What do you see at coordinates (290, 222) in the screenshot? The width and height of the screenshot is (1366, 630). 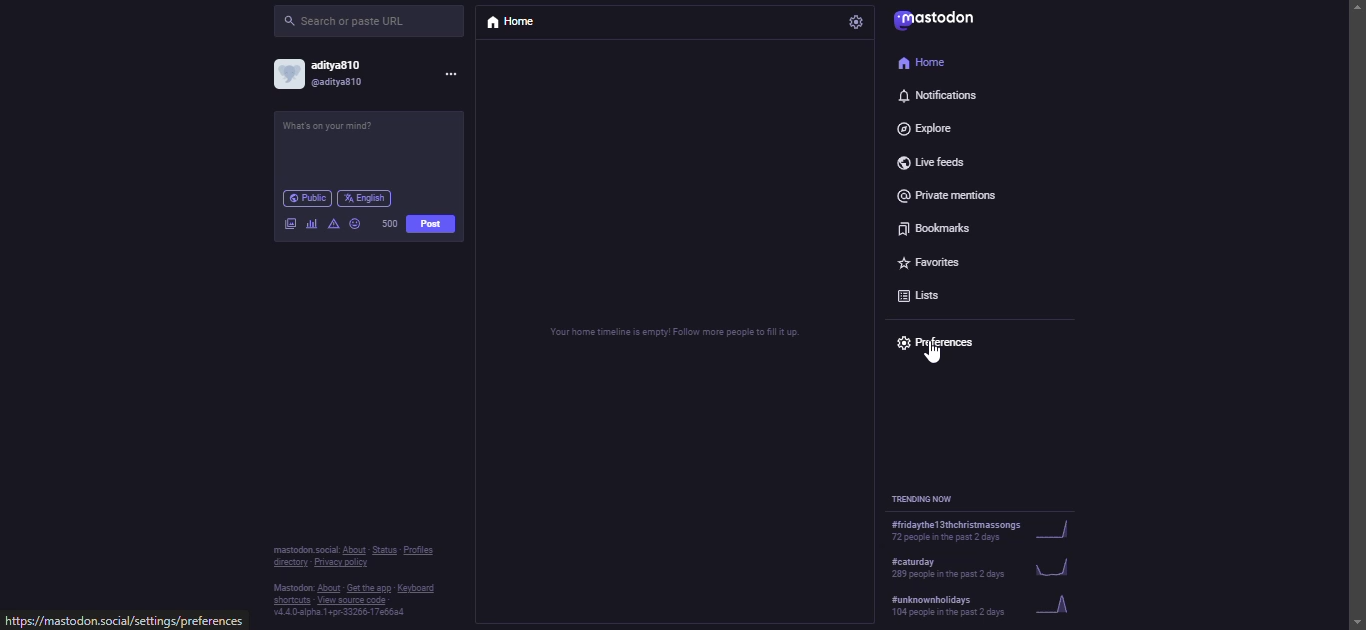 I see `image` at bounding box center [290, 222].